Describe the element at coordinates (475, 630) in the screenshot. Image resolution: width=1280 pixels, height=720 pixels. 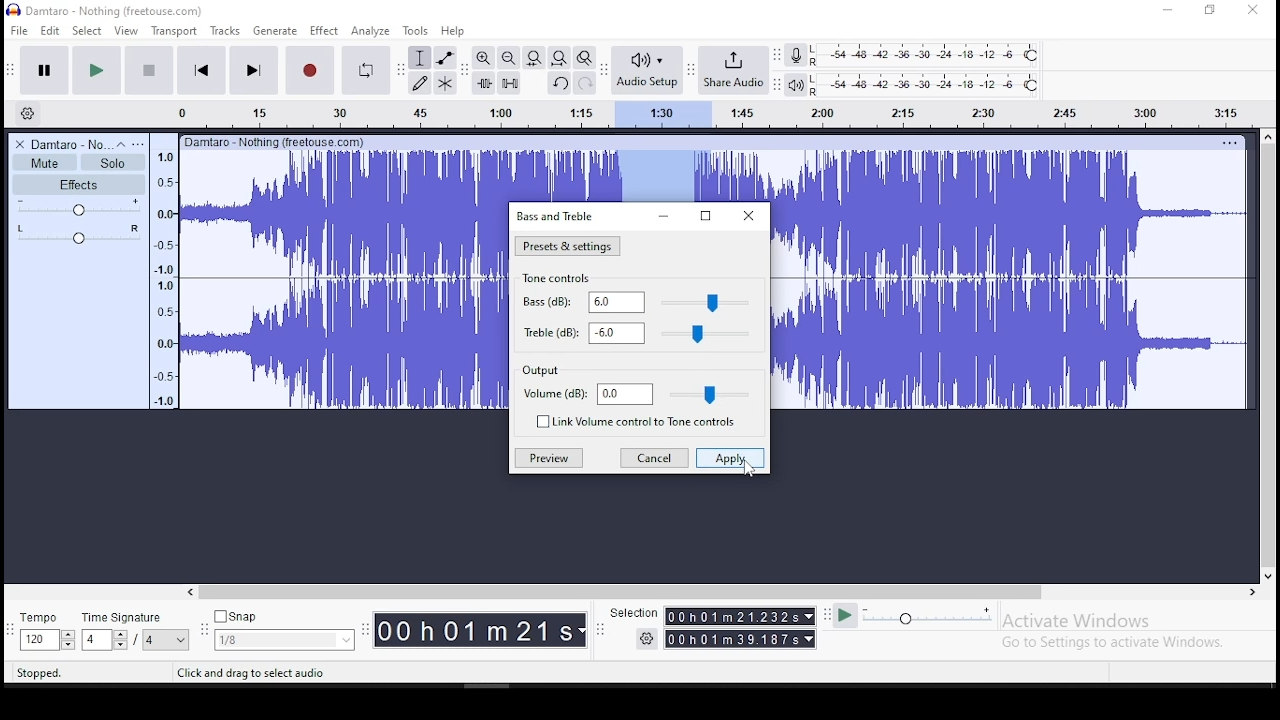
I see `0O0hO01m21s` at that location.